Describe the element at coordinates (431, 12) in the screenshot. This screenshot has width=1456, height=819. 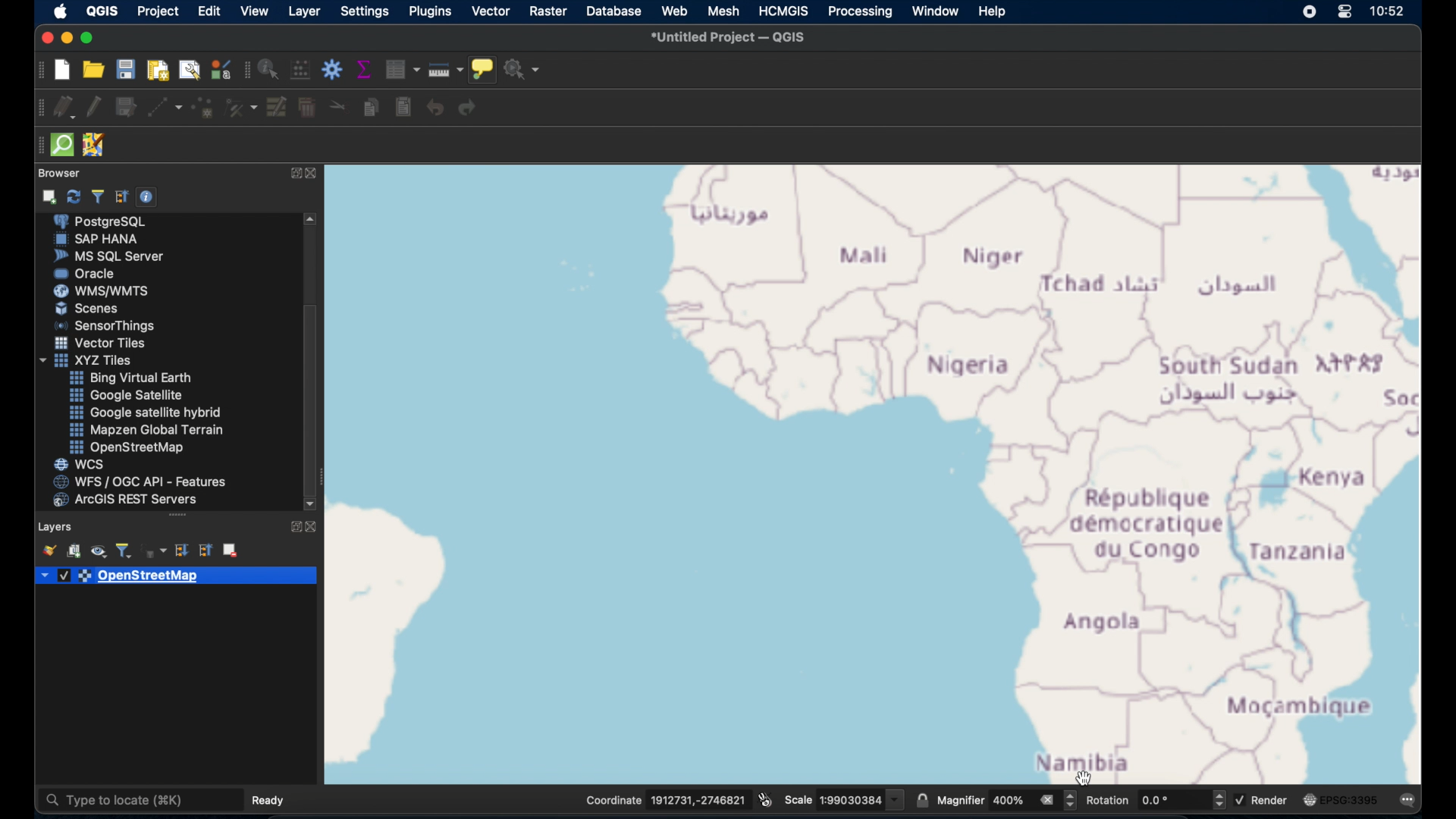
I see `plugins` at that location.